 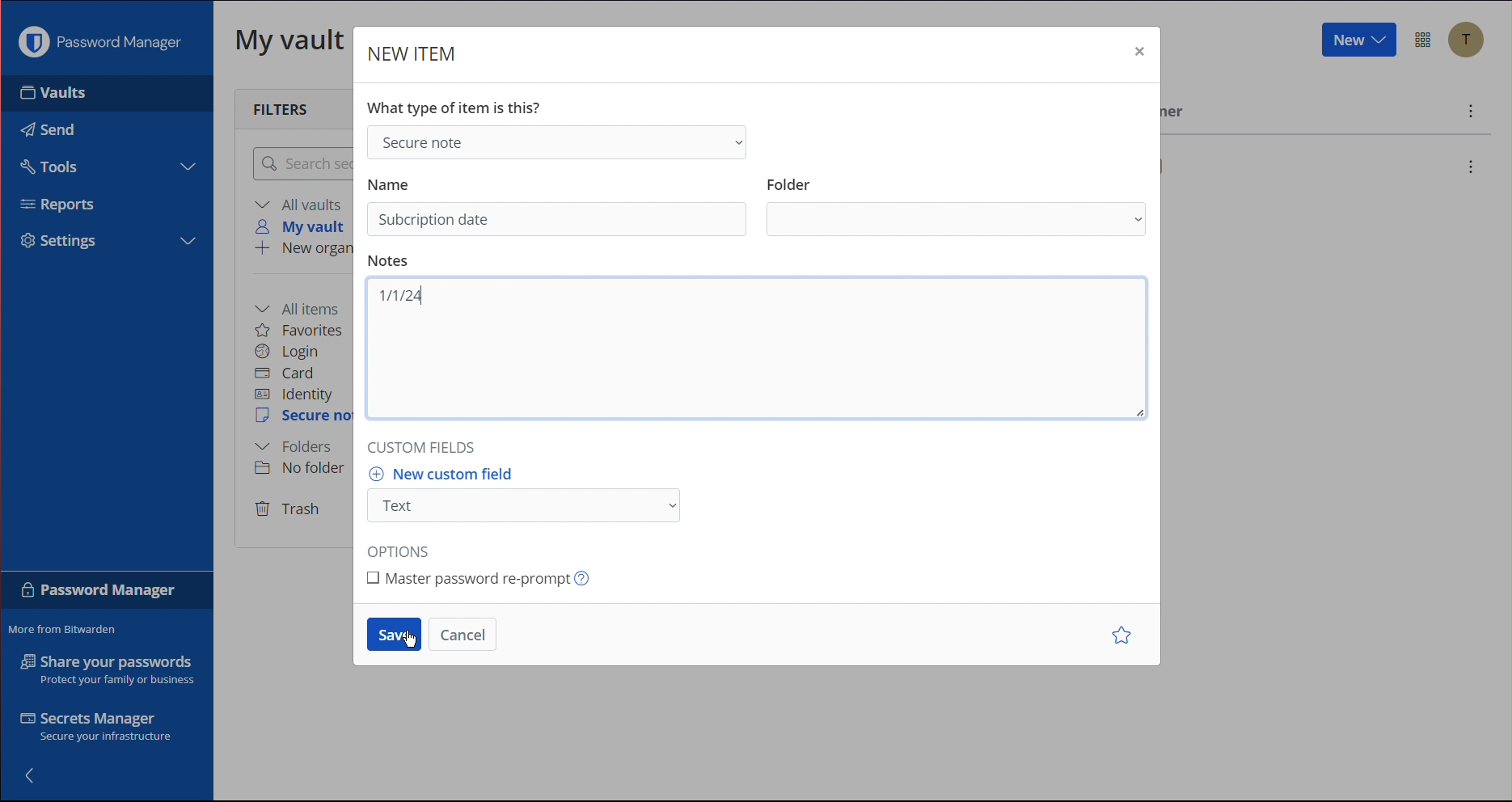 What do you see at coordinates (529, 506) in the screenshot?
I see `Text (dropdown)` at bounding box center [529, 506].